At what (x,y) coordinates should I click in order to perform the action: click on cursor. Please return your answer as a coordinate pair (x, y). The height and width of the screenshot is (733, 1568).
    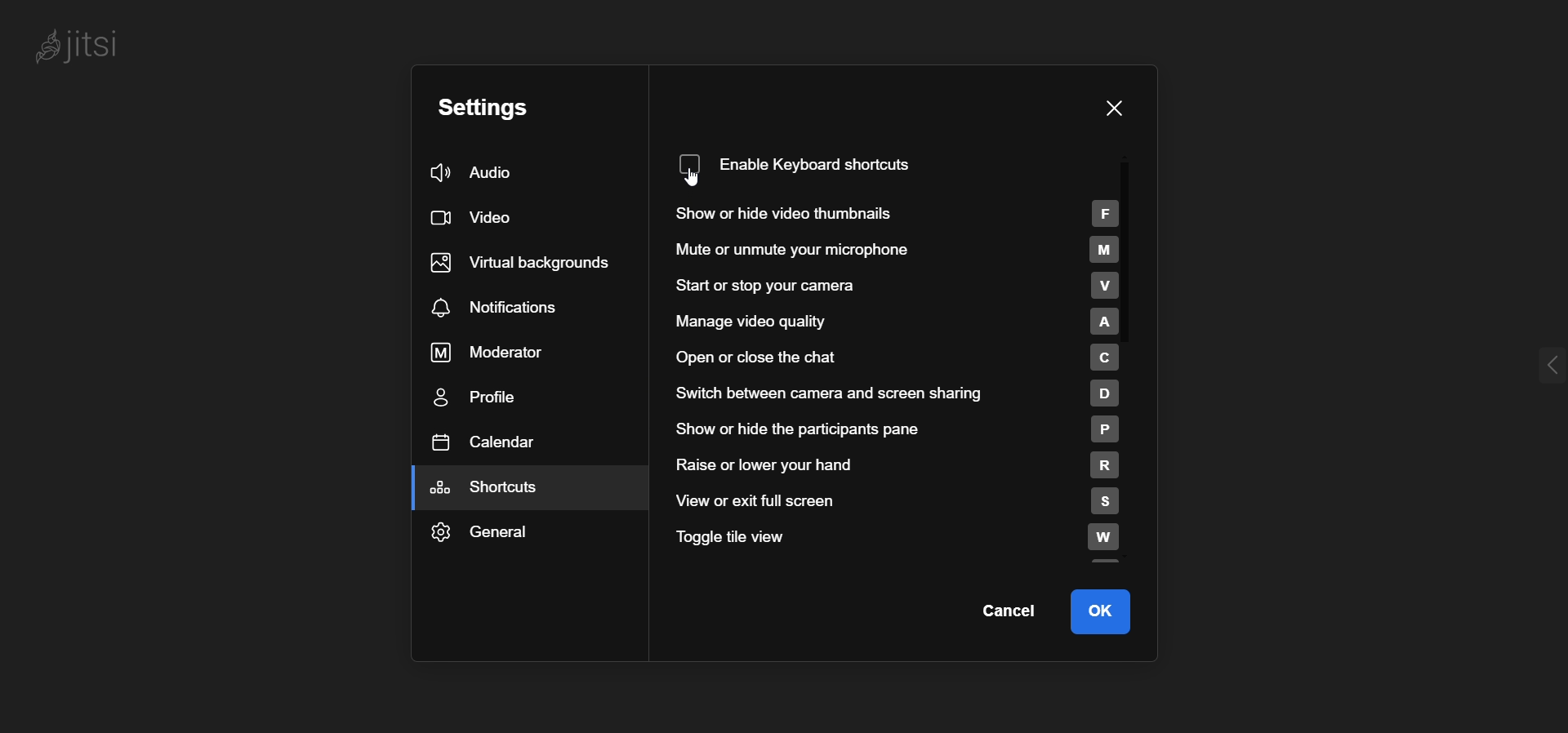
    Looking at the image, I should click on (702, 184).